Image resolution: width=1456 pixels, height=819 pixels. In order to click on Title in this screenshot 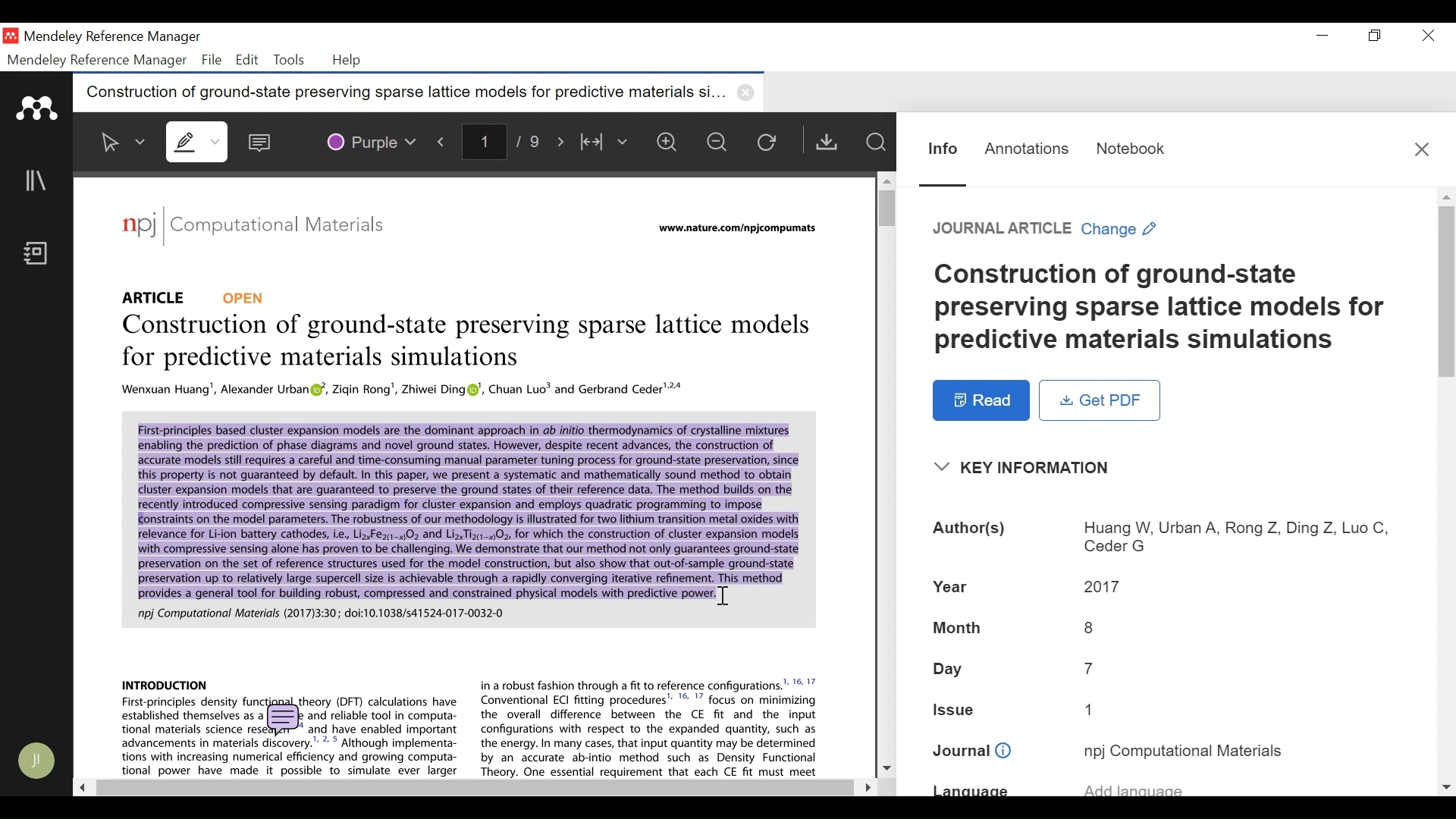, I will do `click(470, 344)`.